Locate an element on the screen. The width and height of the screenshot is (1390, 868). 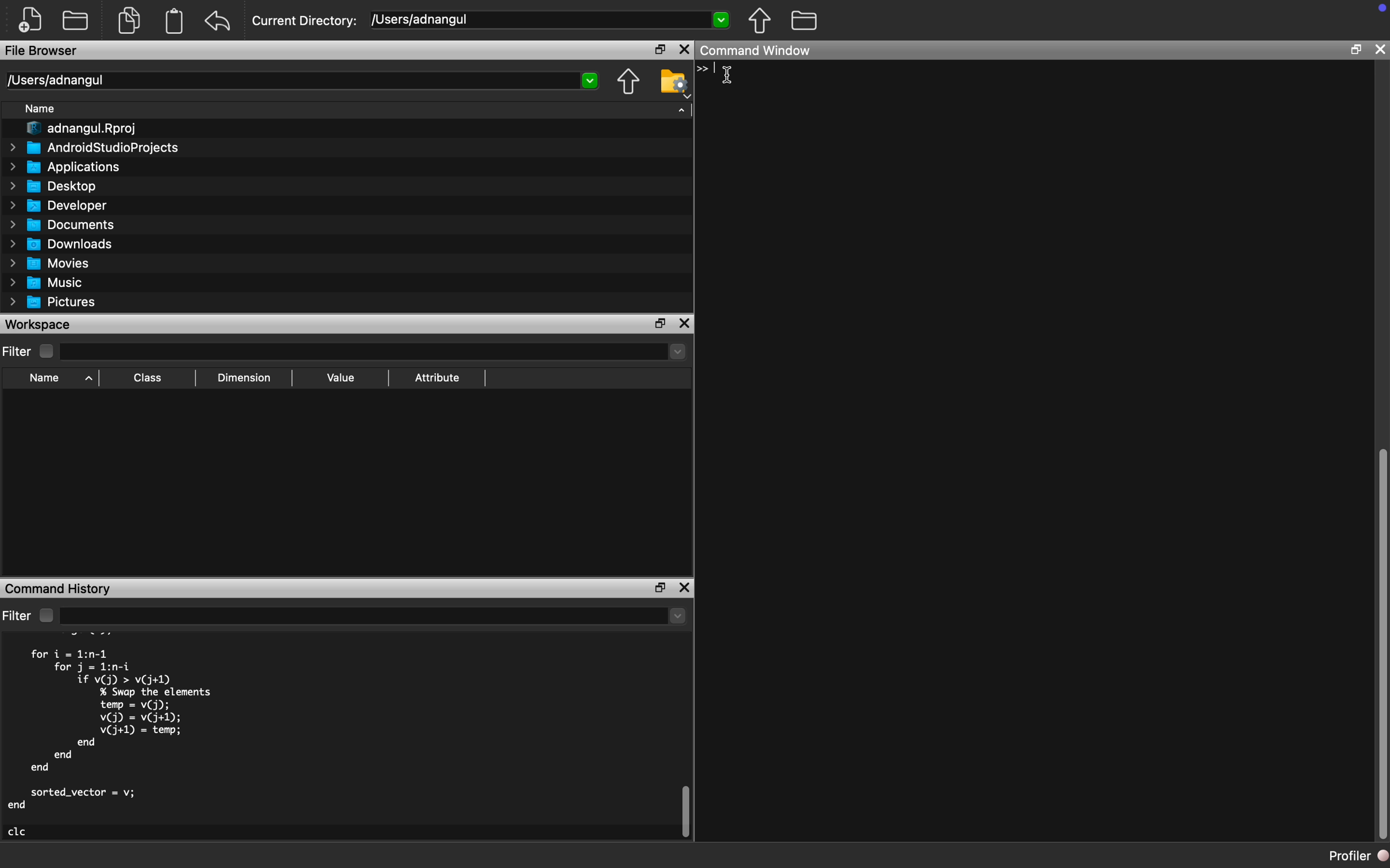
Command History is located at coordinates (60, 588).